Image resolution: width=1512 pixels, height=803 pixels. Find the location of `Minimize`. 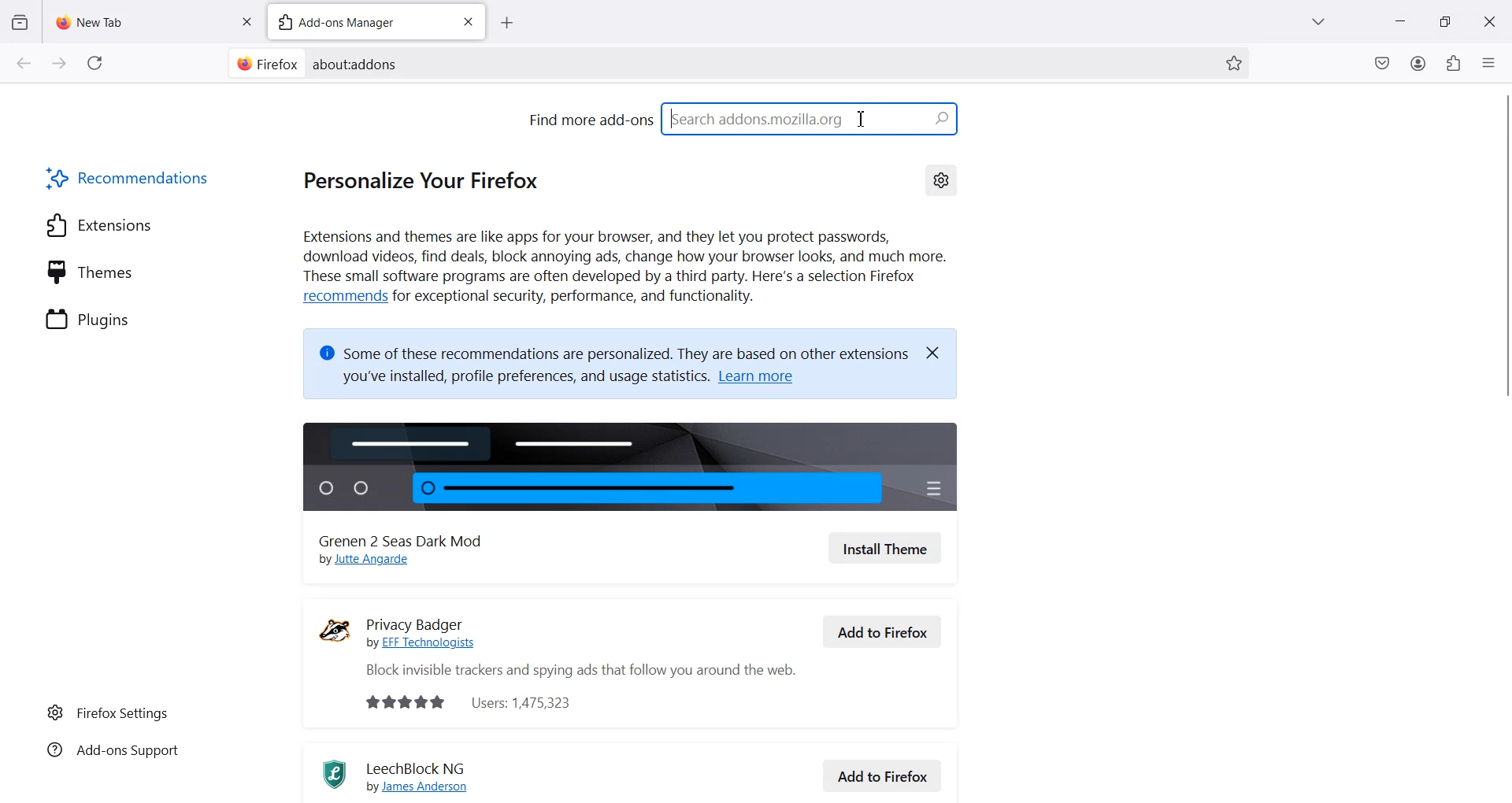

Minimize is located at coordinates (1400, 21).